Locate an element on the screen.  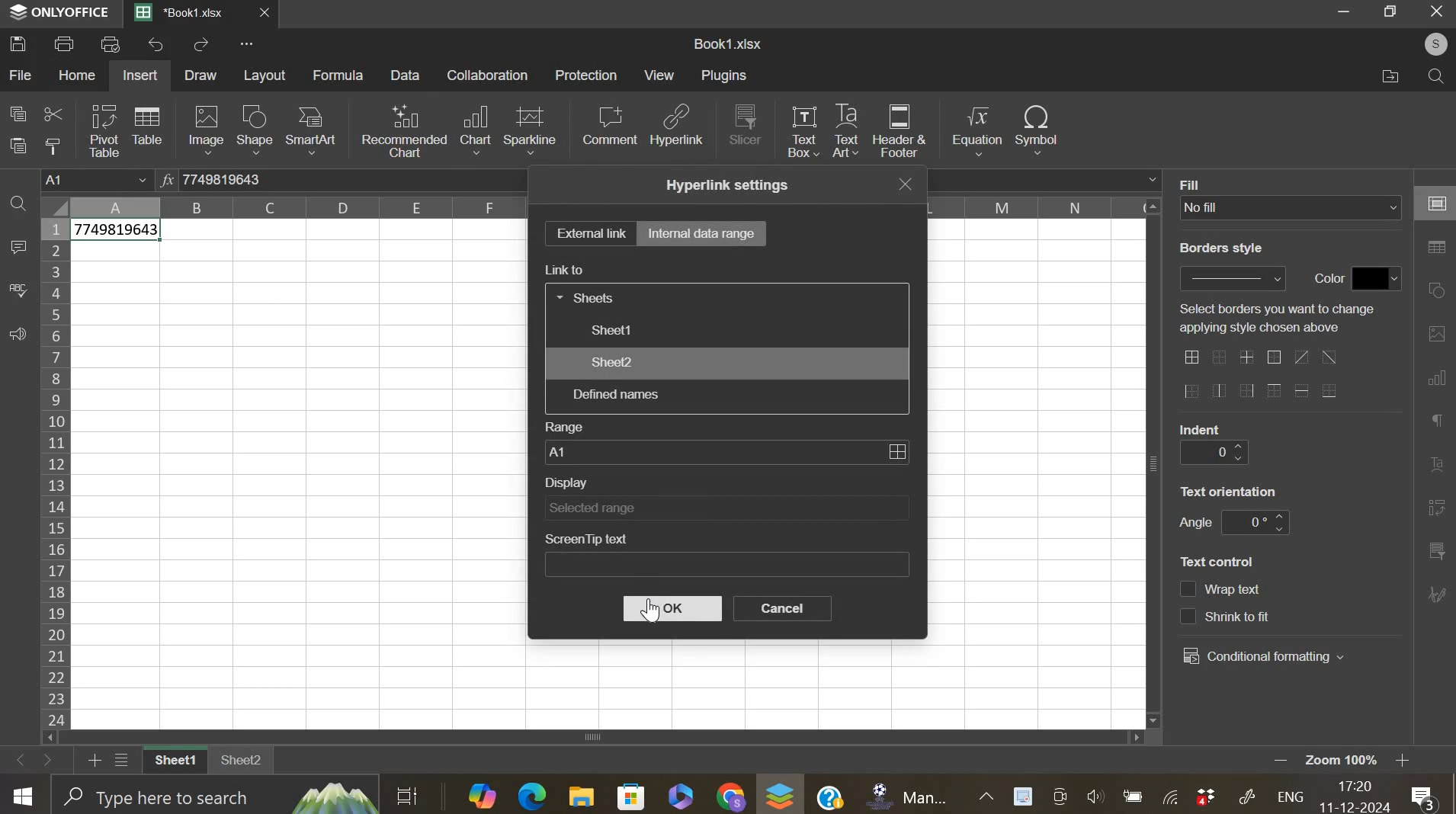
ok is located at coordinates (672, 609).